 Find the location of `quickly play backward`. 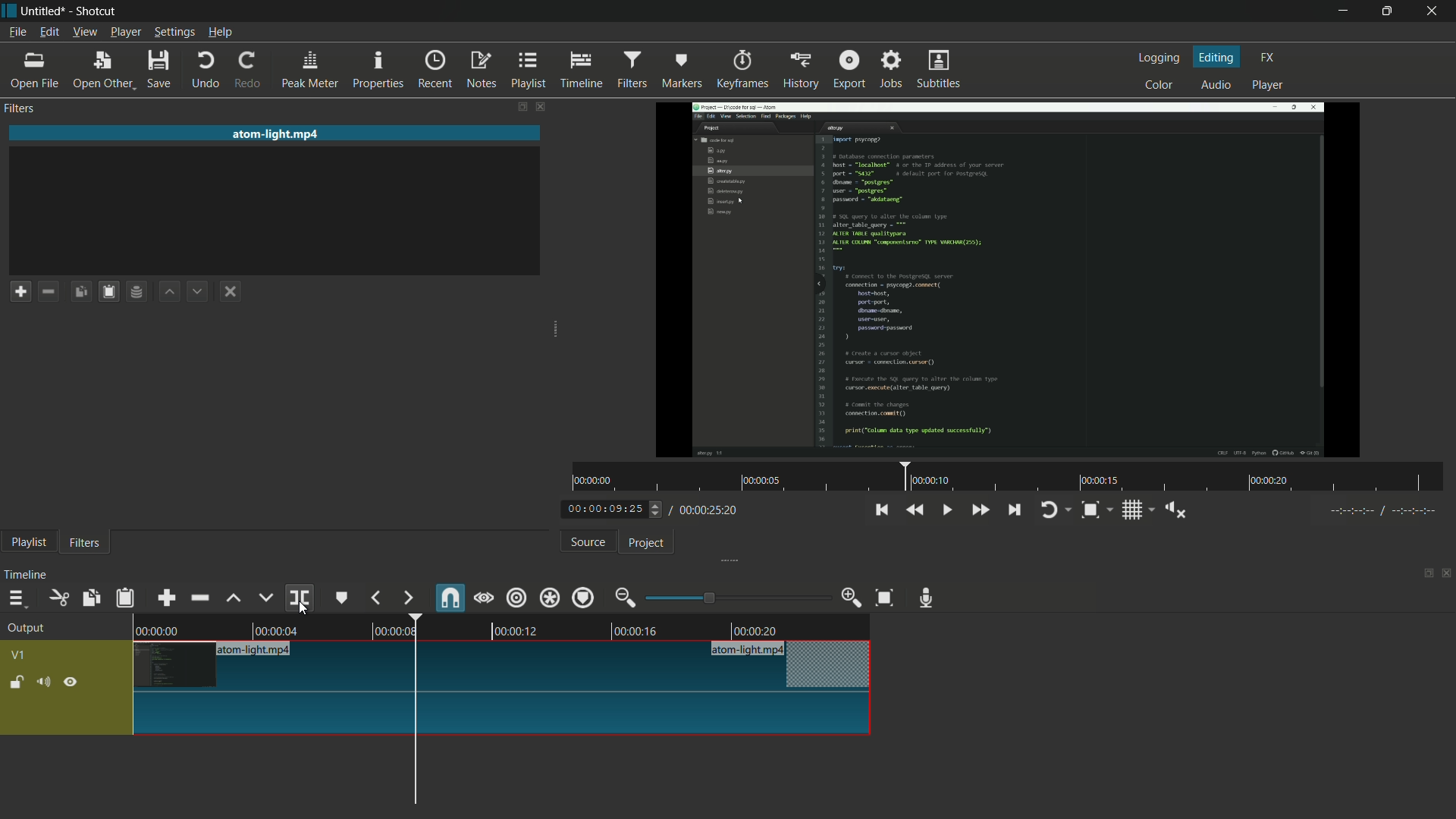

quickly play backward is located at coordinates (916, 510).